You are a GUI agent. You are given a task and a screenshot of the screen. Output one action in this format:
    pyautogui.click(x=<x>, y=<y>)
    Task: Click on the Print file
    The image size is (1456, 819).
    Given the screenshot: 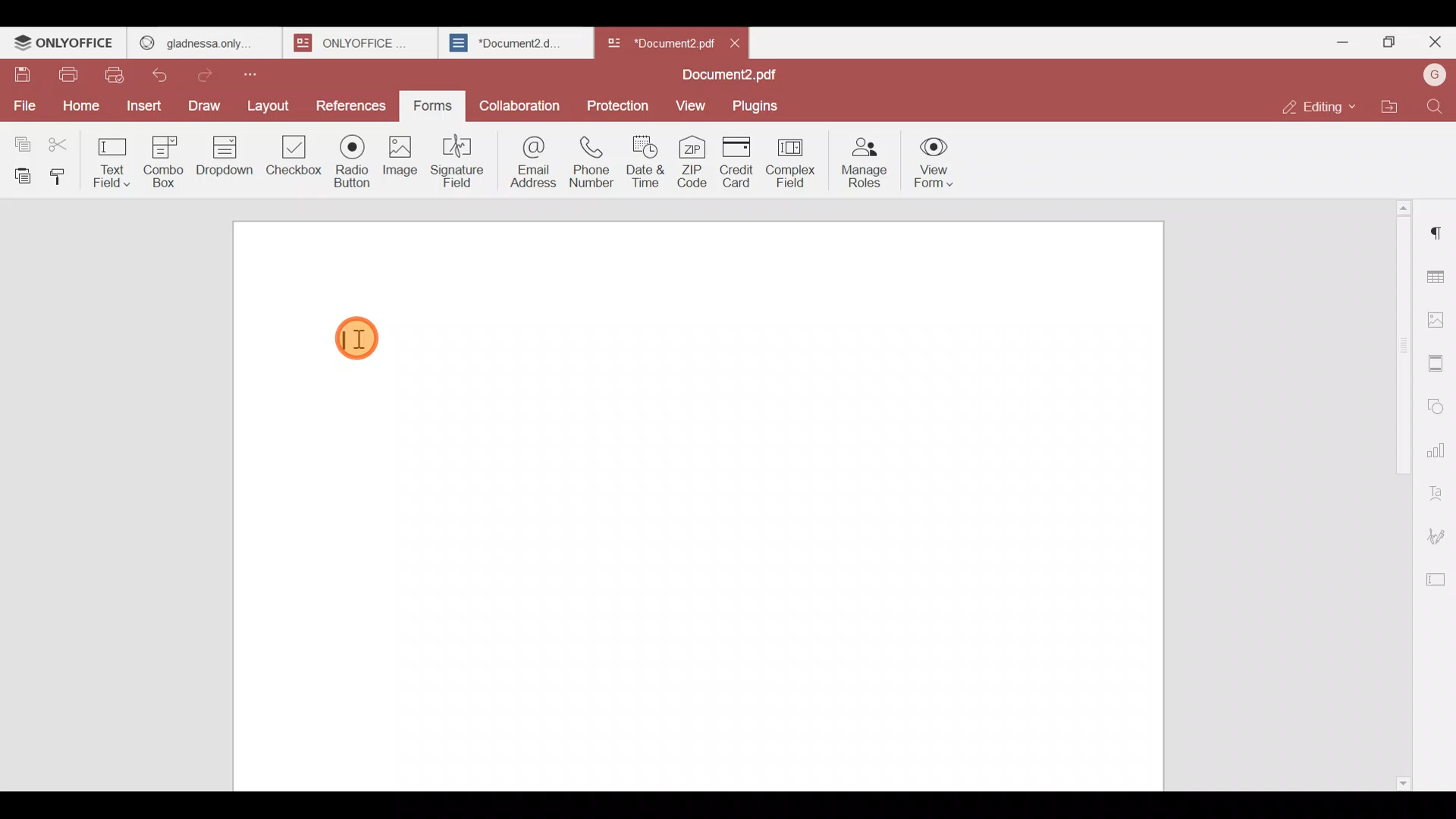 What is the action you would take?
    pyautogui.click(x=63, y=71)
    